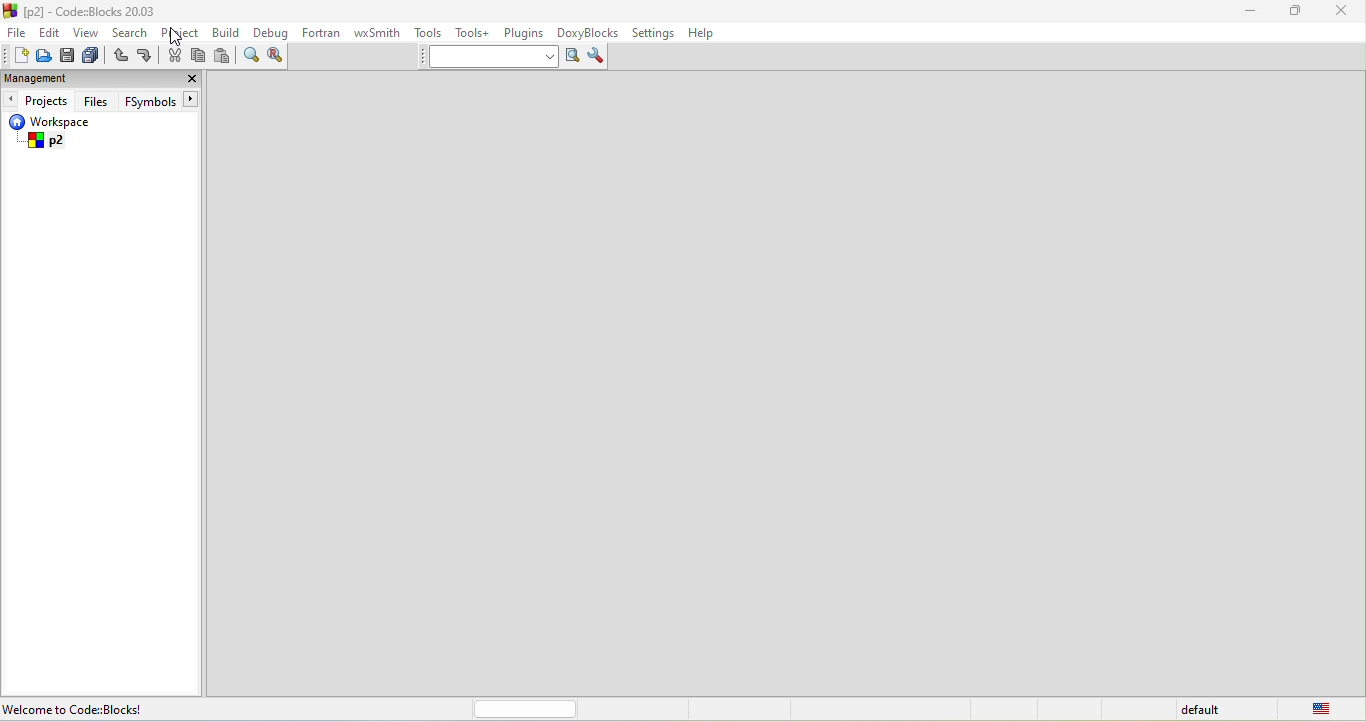 Image resolution: width=1366 pixels, height=722 pixels. What do you see at coordinates (88, 12) in the screenshot?
I see `[p2] - Code=Blocks 20.03` at bounding box center [88, 12].